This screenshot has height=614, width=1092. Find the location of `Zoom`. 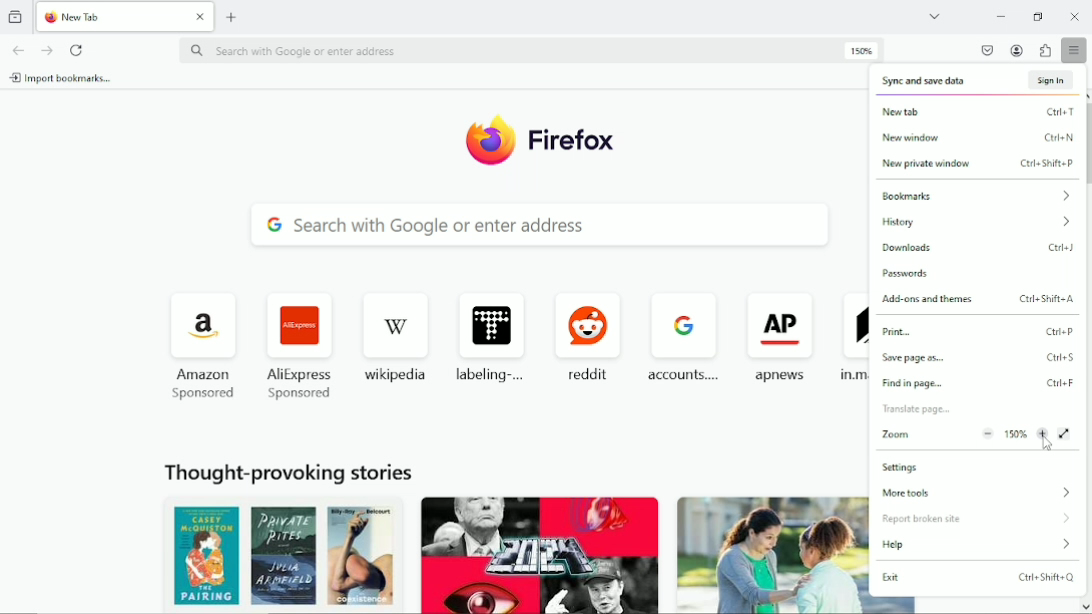

Zoom is located at coordinates (922, 437).